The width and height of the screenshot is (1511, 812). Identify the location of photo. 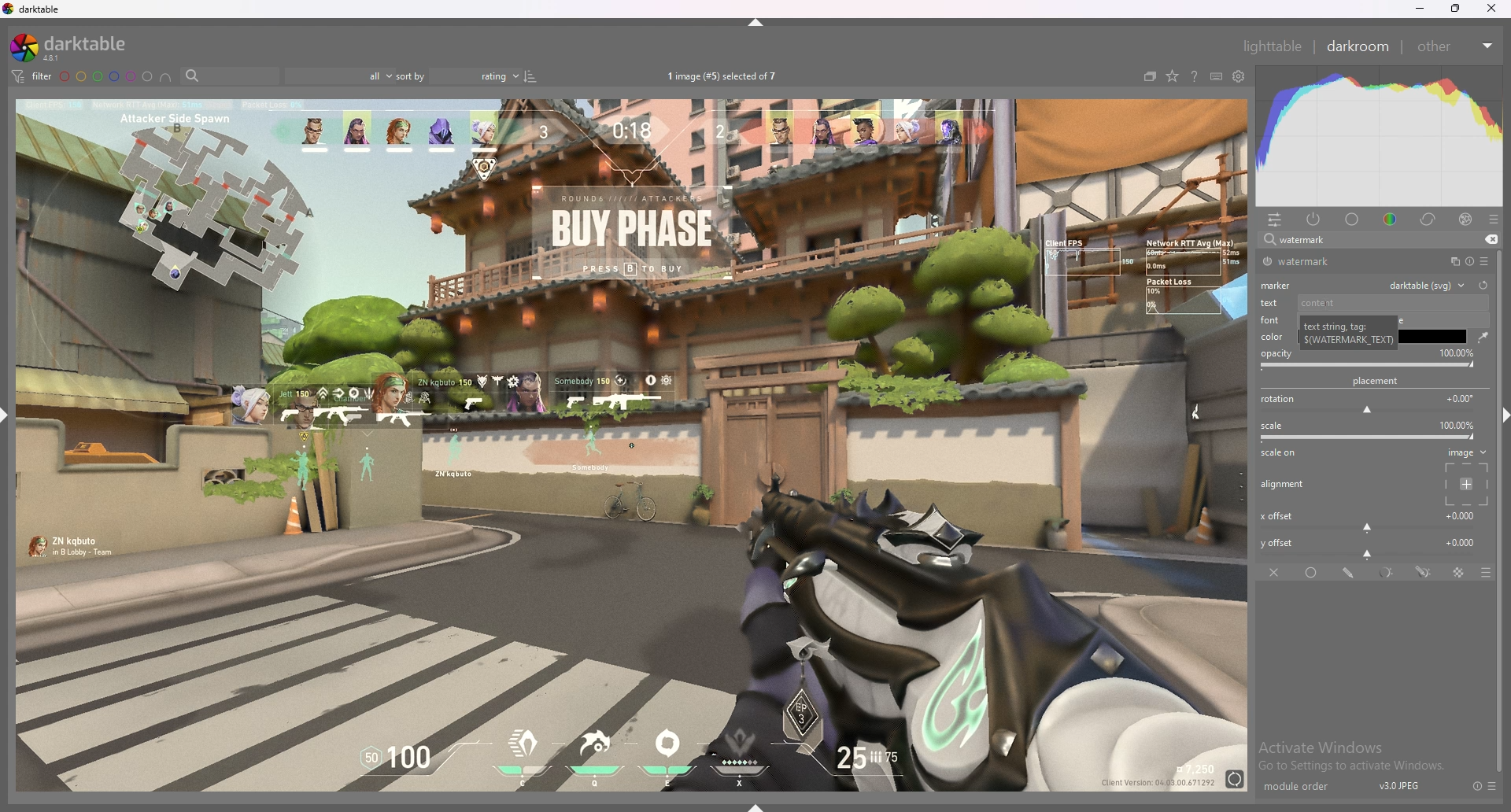
(630, 443).